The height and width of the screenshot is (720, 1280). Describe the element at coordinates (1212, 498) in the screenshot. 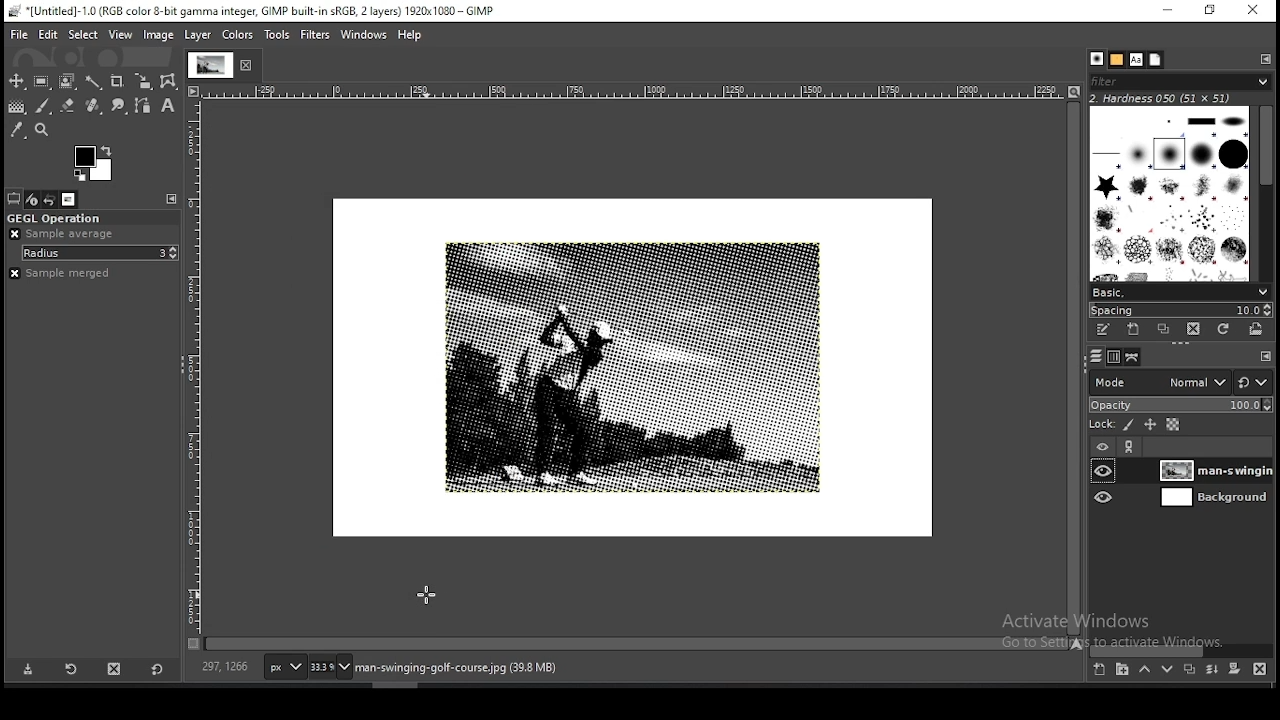

I see `layer` at that location.